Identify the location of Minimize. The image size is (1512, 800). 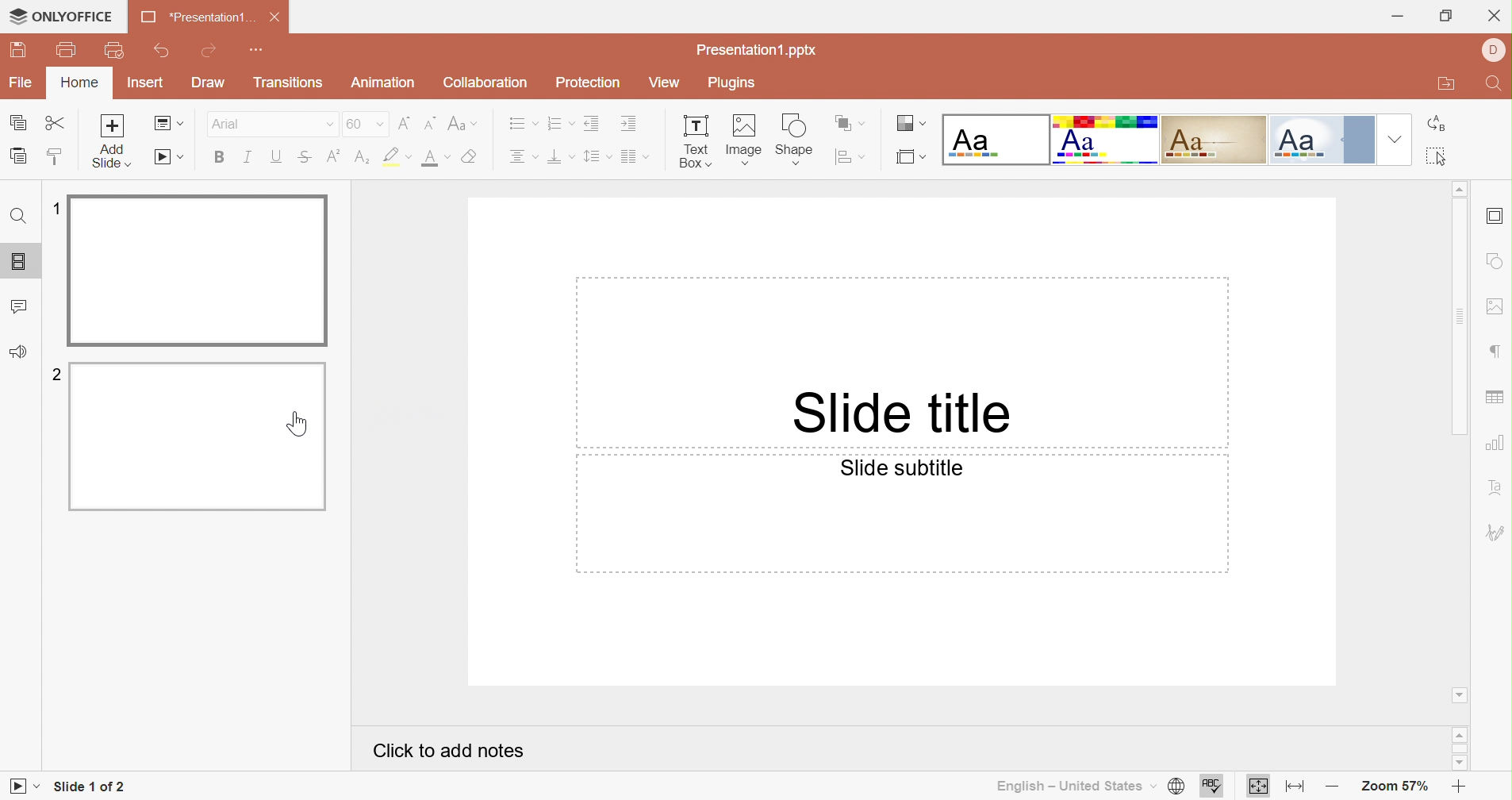
(1397, 15).